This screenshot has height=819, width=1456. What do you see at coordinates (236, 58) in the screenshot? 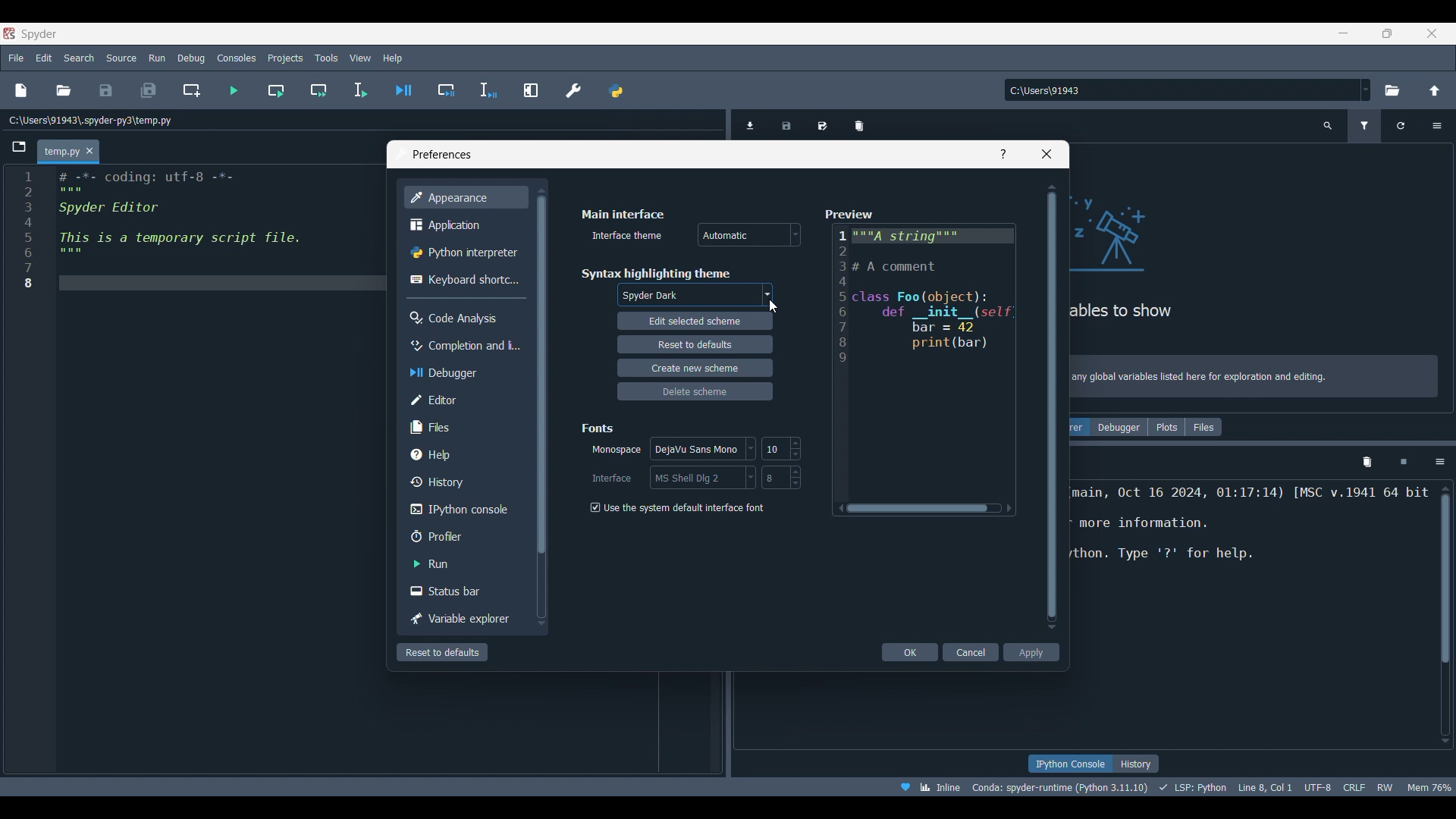
I see `Consoles menu` at bounding box center [236, 58].